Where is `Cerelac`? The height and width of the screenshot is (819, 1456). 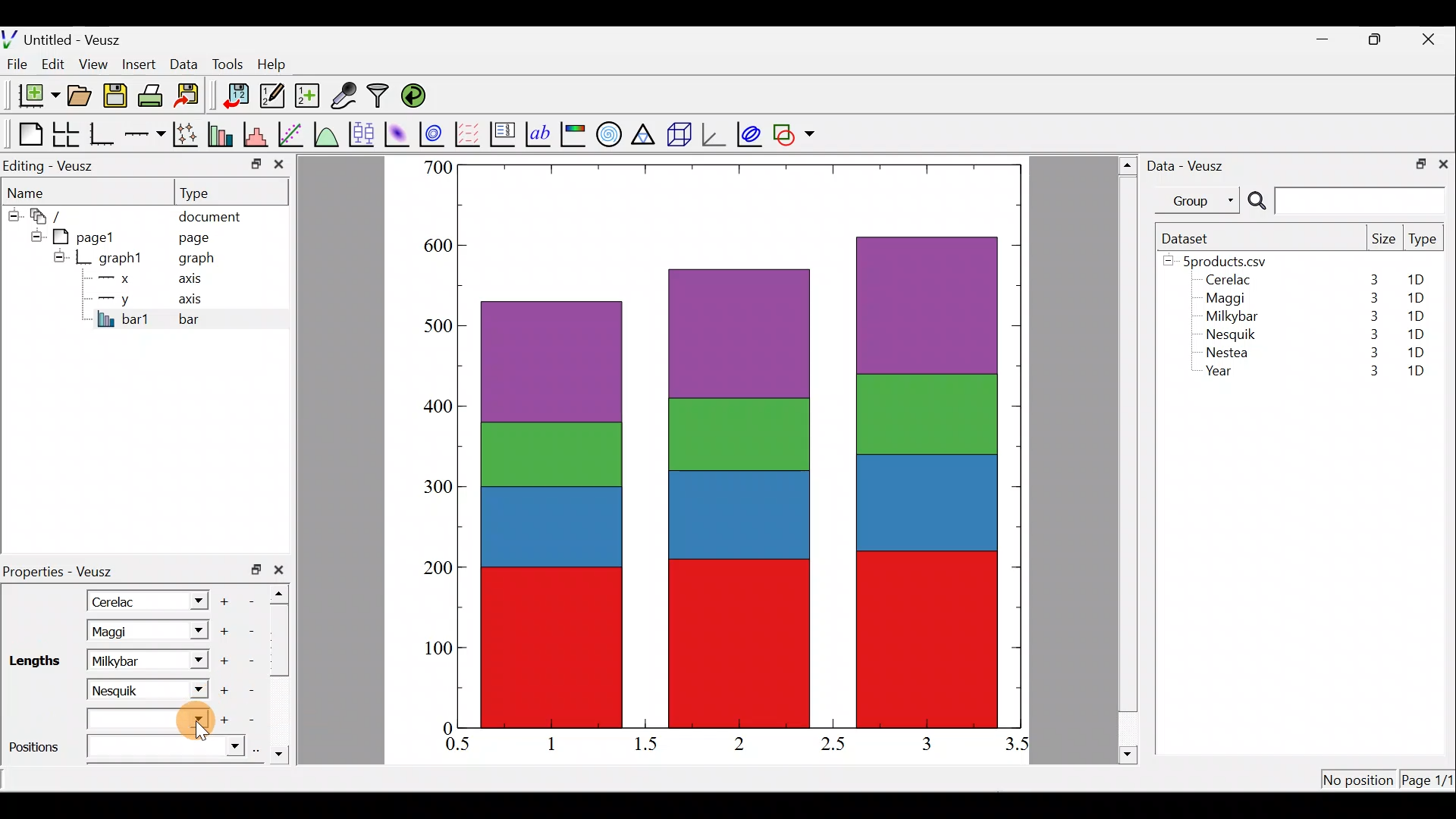
Cerelac is located at coordinates (118, 600).